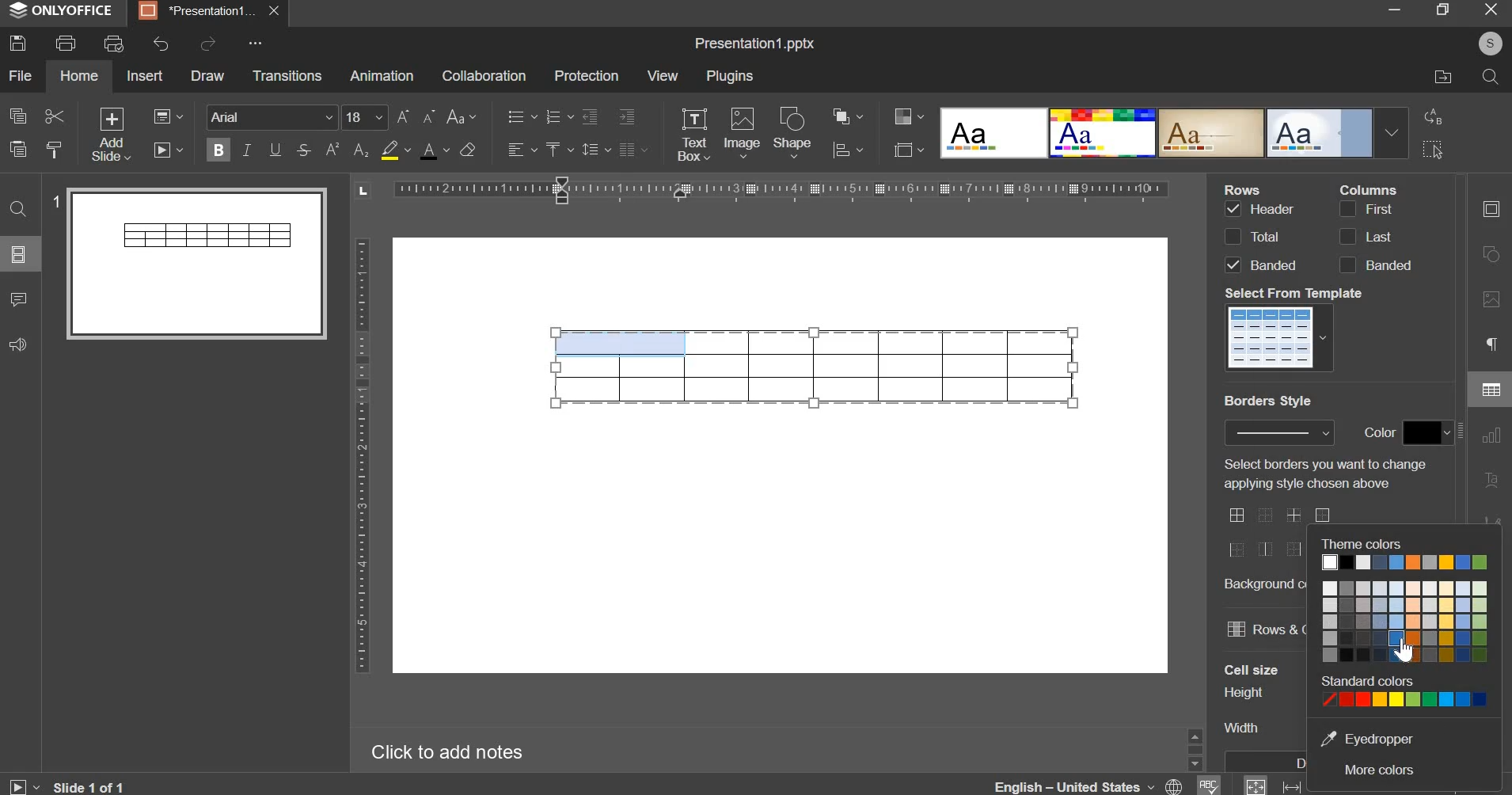  Describe the element at coordinates (246, 149) in the screenshot. I see `italics` at that location.